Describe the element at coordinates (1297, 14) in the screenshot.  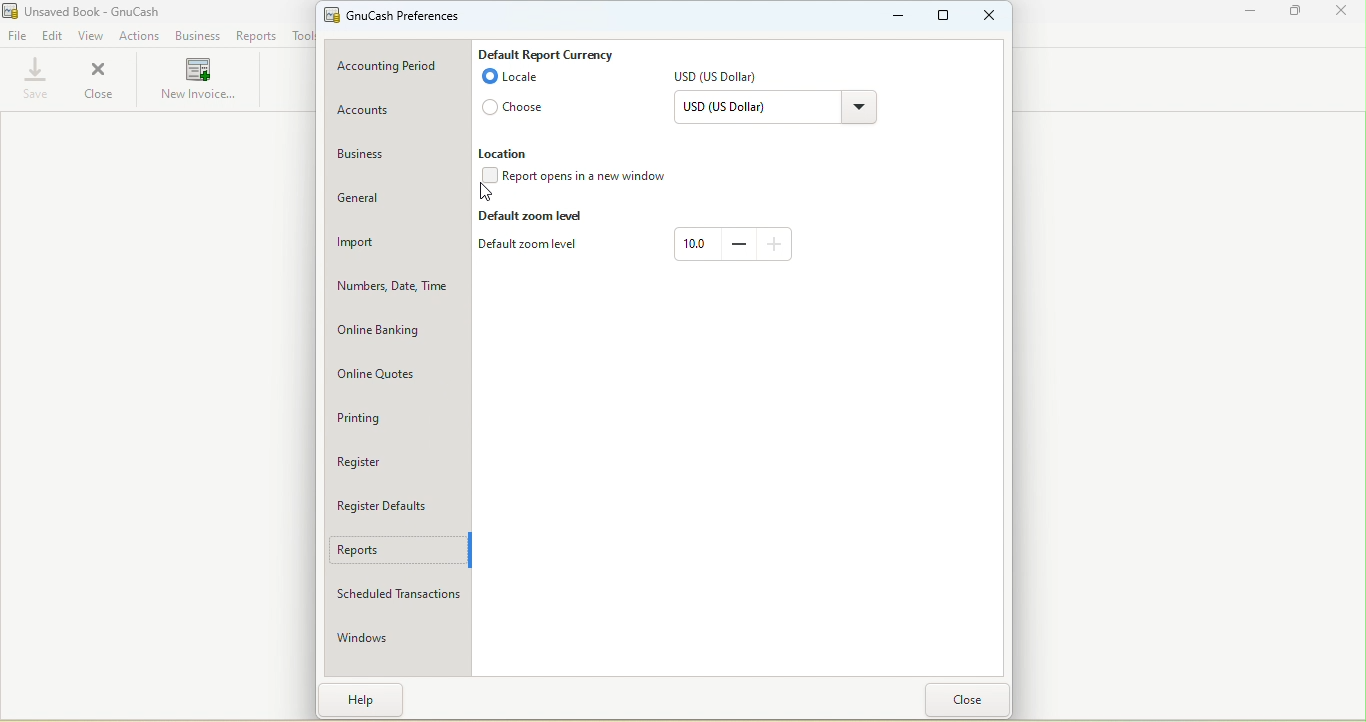
I see `Maximize` at that location.